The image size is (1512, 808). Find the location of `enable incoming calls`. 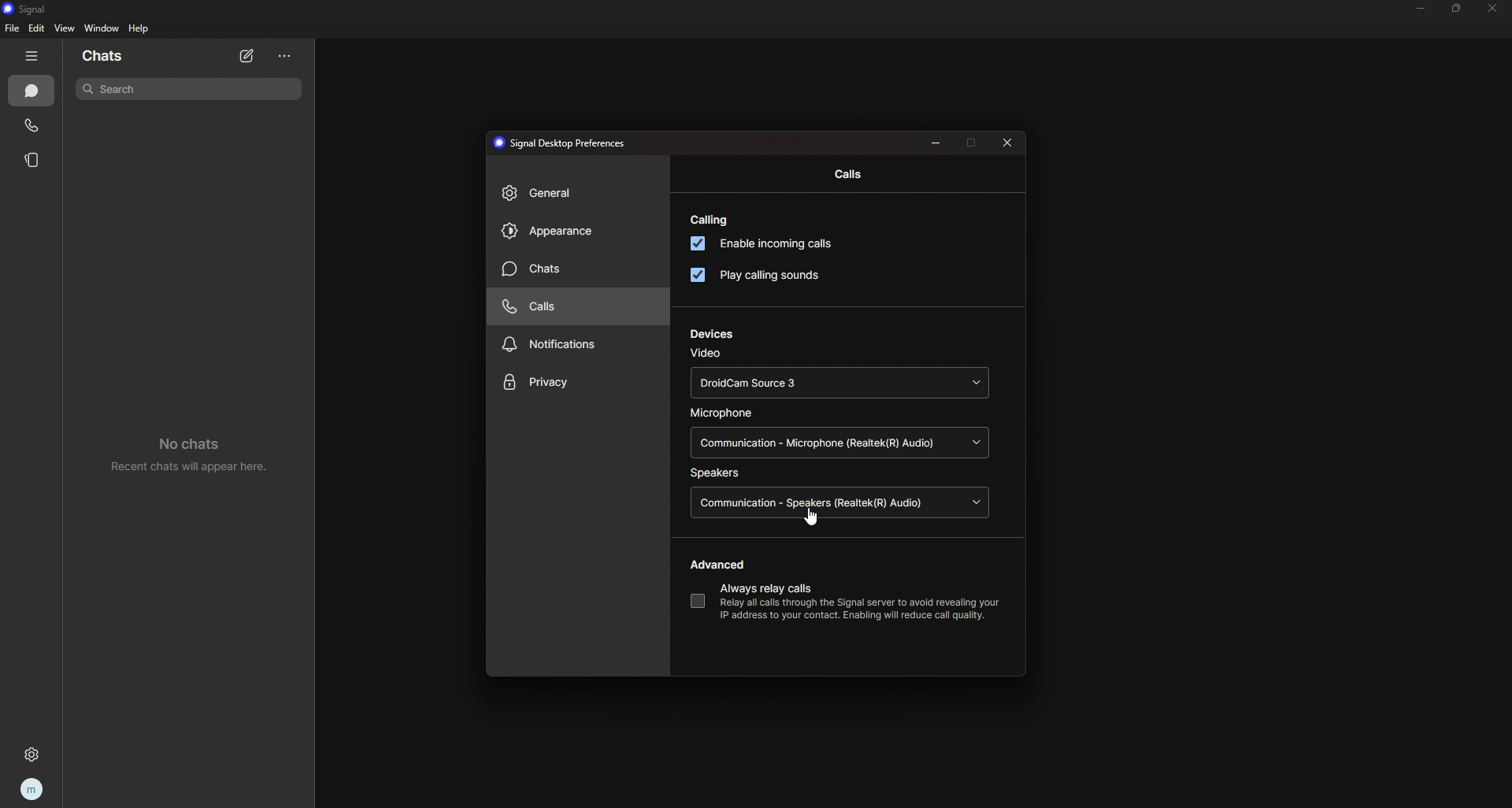

enable incoming calls is located at coordinates (761, 243).